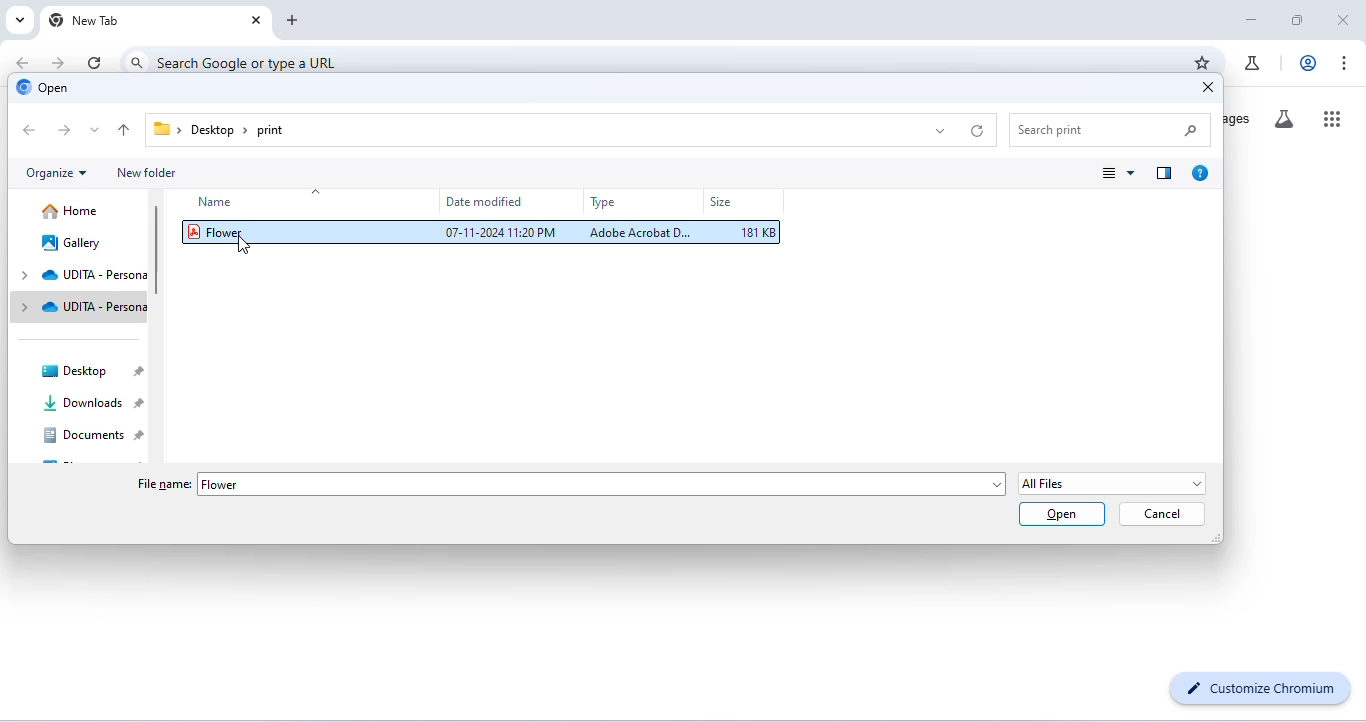 Image resolution: width=1366 pixels, height=722 pixels. What do you see at coordinates (244, 245) in the screenshot?
I see `cursor` at bounding box center [244, 245].